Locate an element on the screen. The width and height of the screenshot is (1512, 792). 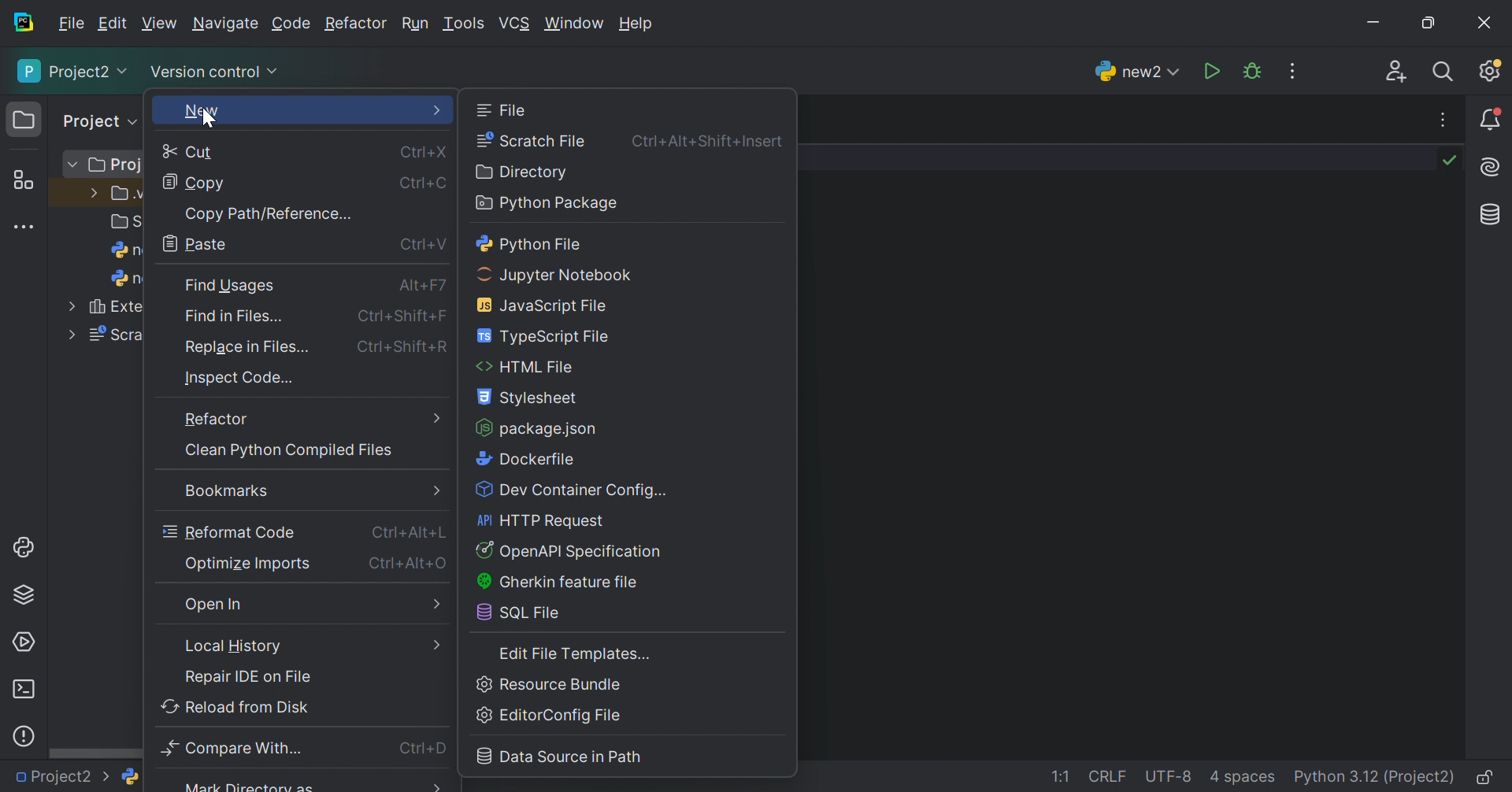
JavaScript file is located at coordinates (543, 305).